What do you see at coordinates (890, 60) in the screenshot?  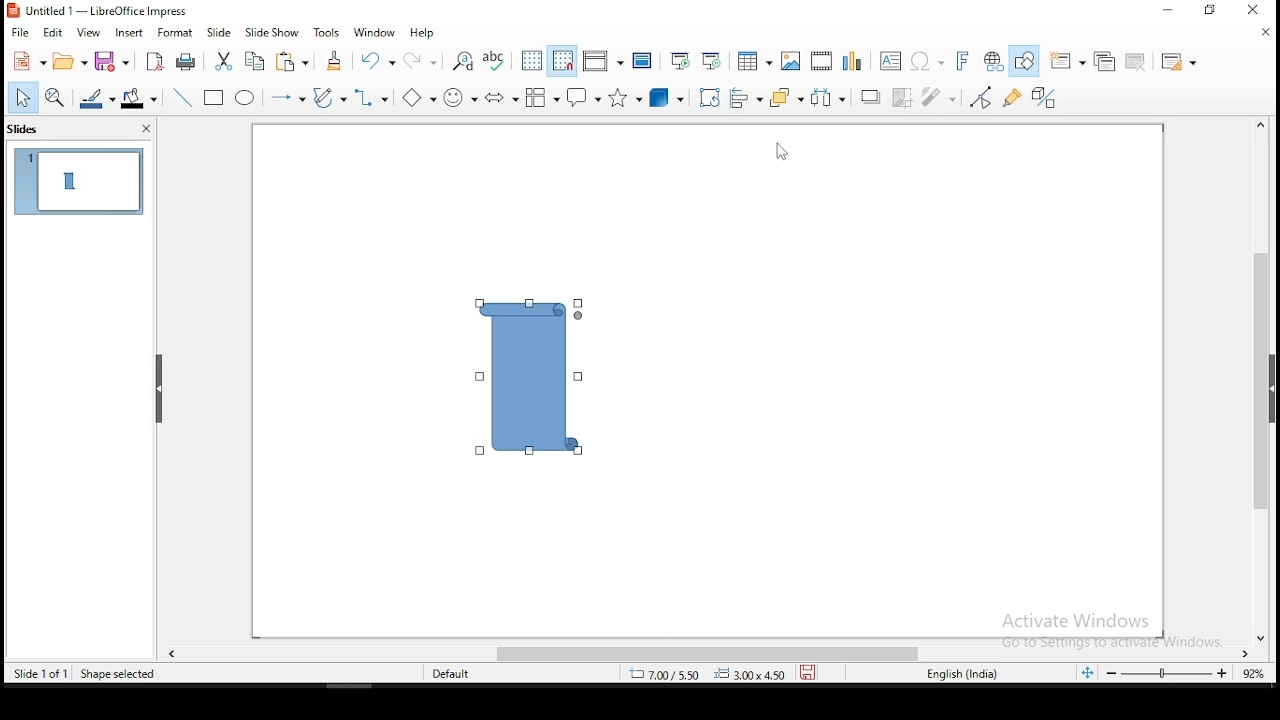 I see `text box` at bounding box center [890, 60].